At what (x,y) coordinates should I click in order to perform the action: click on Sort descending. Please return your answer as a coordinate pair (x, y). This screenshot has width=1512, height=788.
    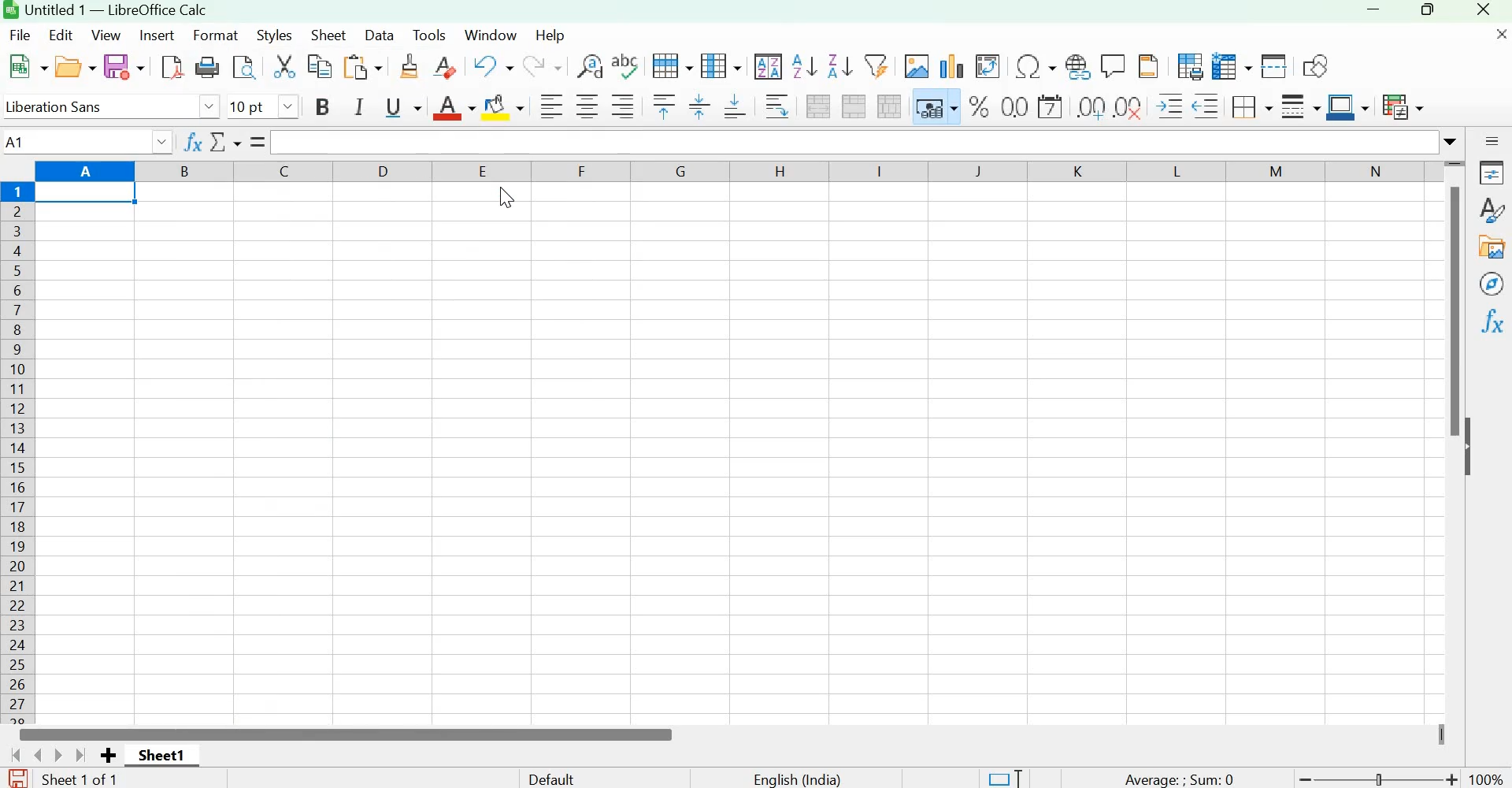
    Looking at the image, I should click on (839, 66).